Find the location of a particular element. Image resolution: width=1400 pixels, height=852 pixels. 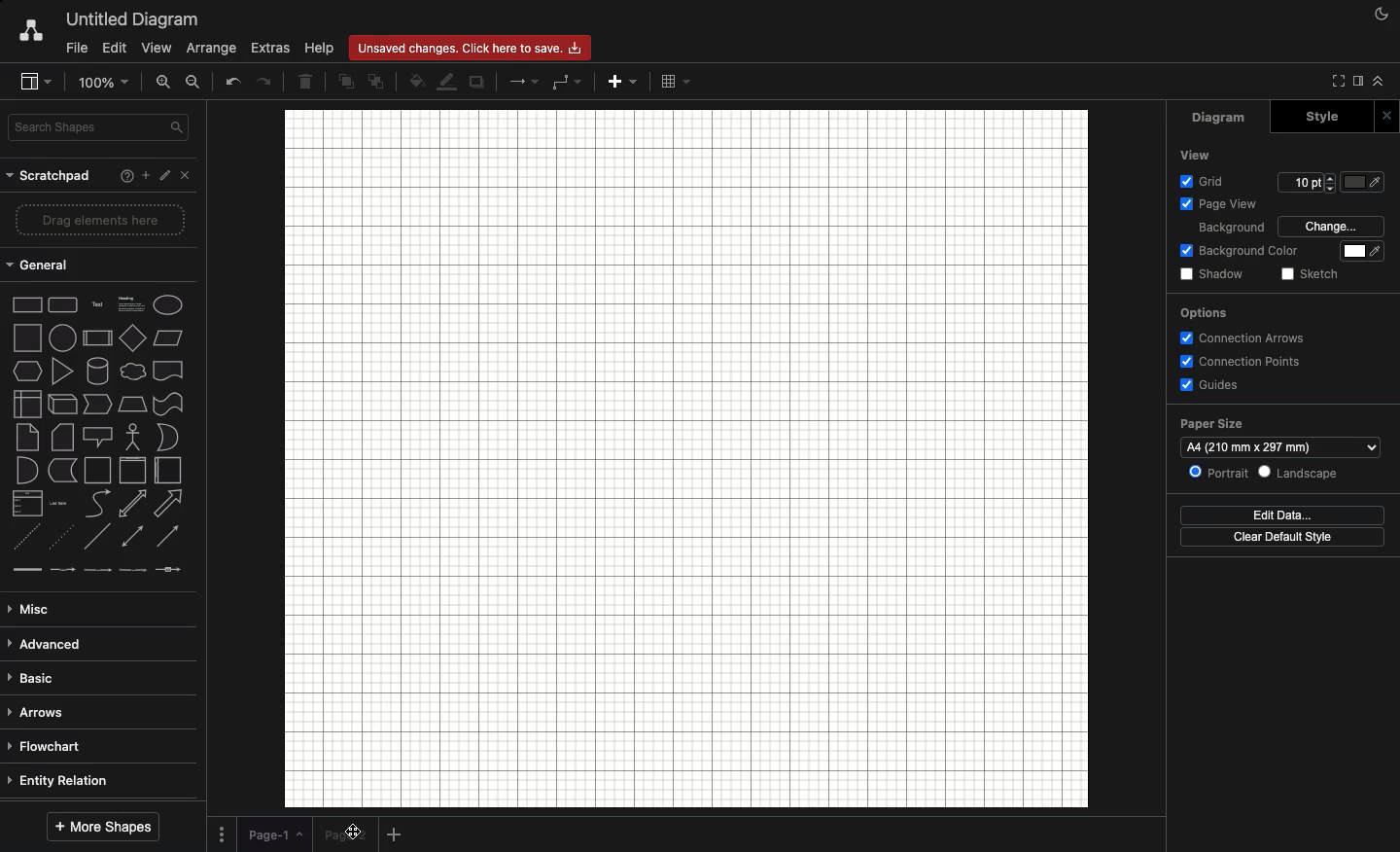

Close is located at coordinates (191, 177).